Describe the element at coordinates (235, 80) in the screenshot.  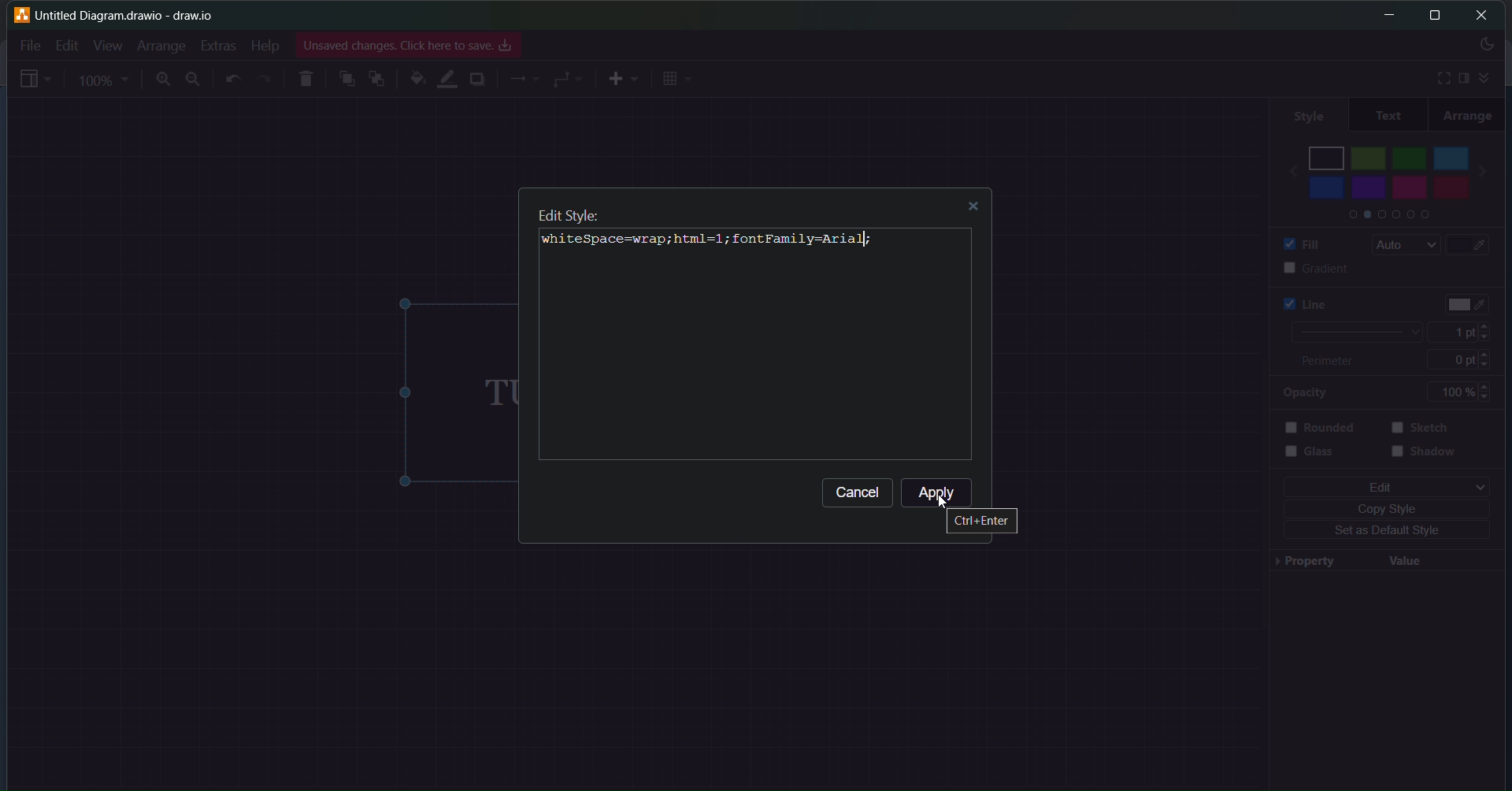
I see `undo` at that location.